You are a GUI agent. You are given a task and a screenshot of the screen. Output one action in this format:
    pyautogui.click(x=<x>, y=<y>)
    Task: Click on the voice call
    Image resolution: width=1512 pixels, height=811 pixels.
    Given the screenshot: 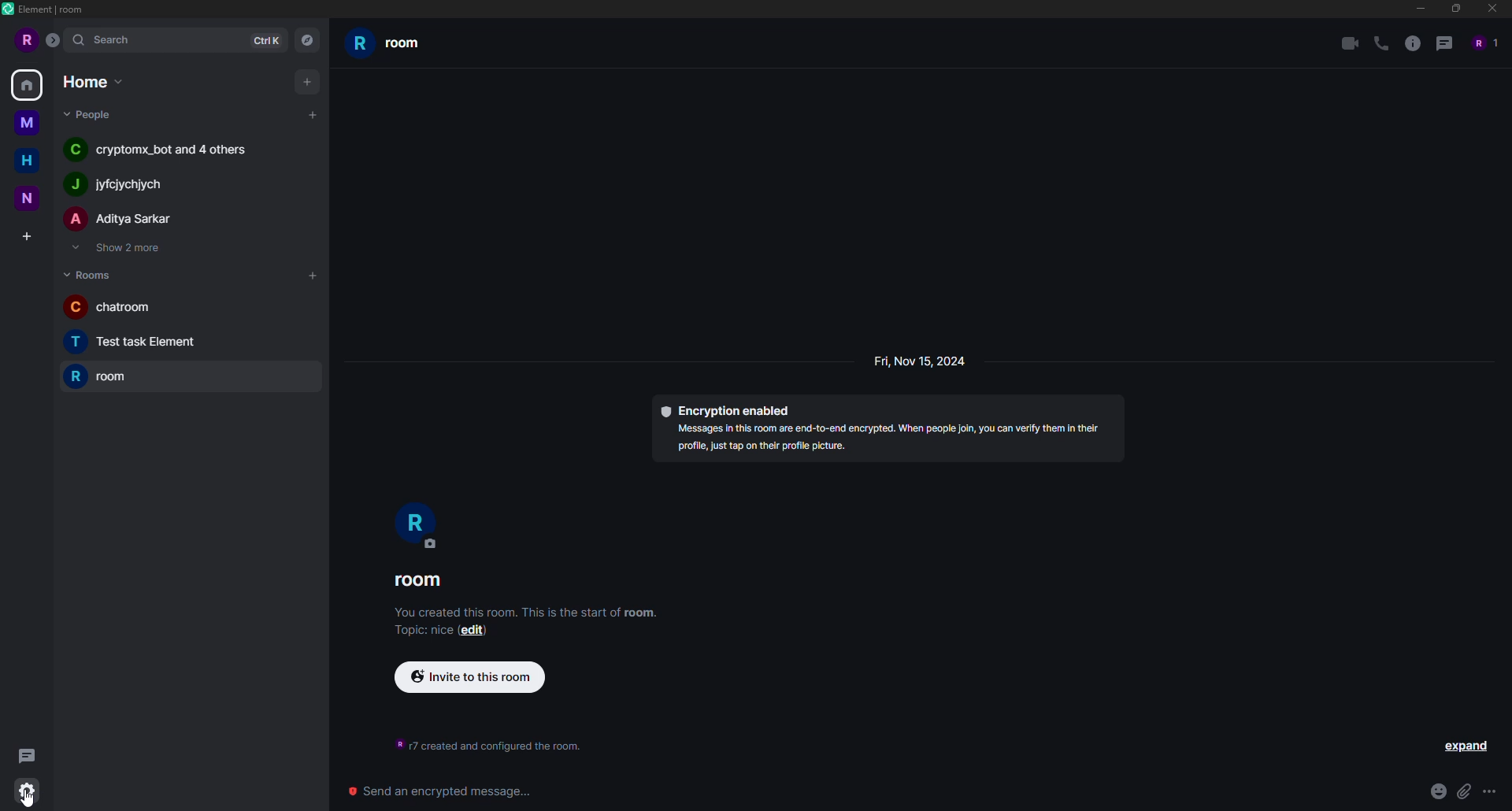 What is the action you would take?
    pyautogui.click(x=1380, y=43)
    